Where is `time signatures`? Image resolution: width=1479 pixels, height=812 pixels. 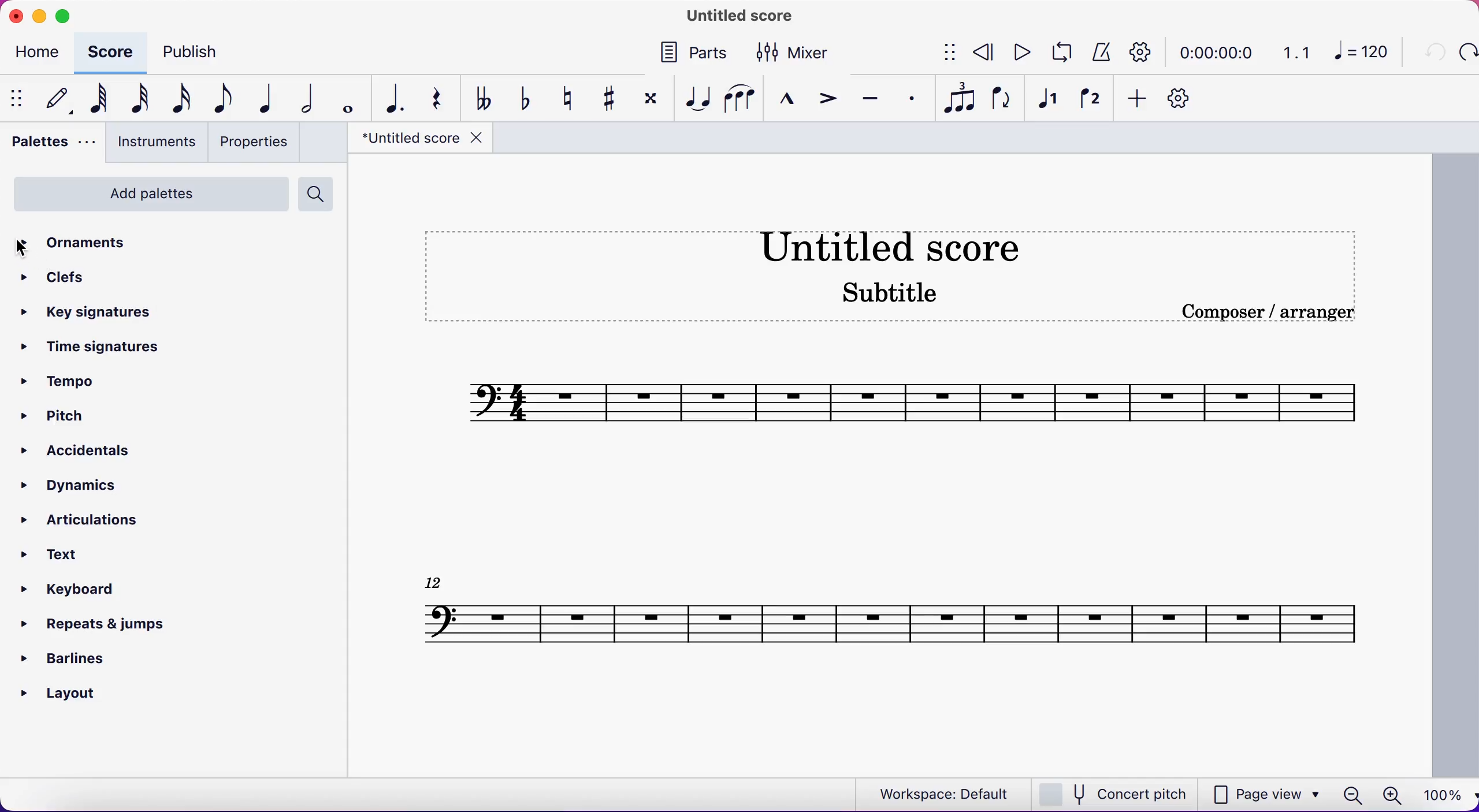
time signatures is located at coordinates (92, 347).